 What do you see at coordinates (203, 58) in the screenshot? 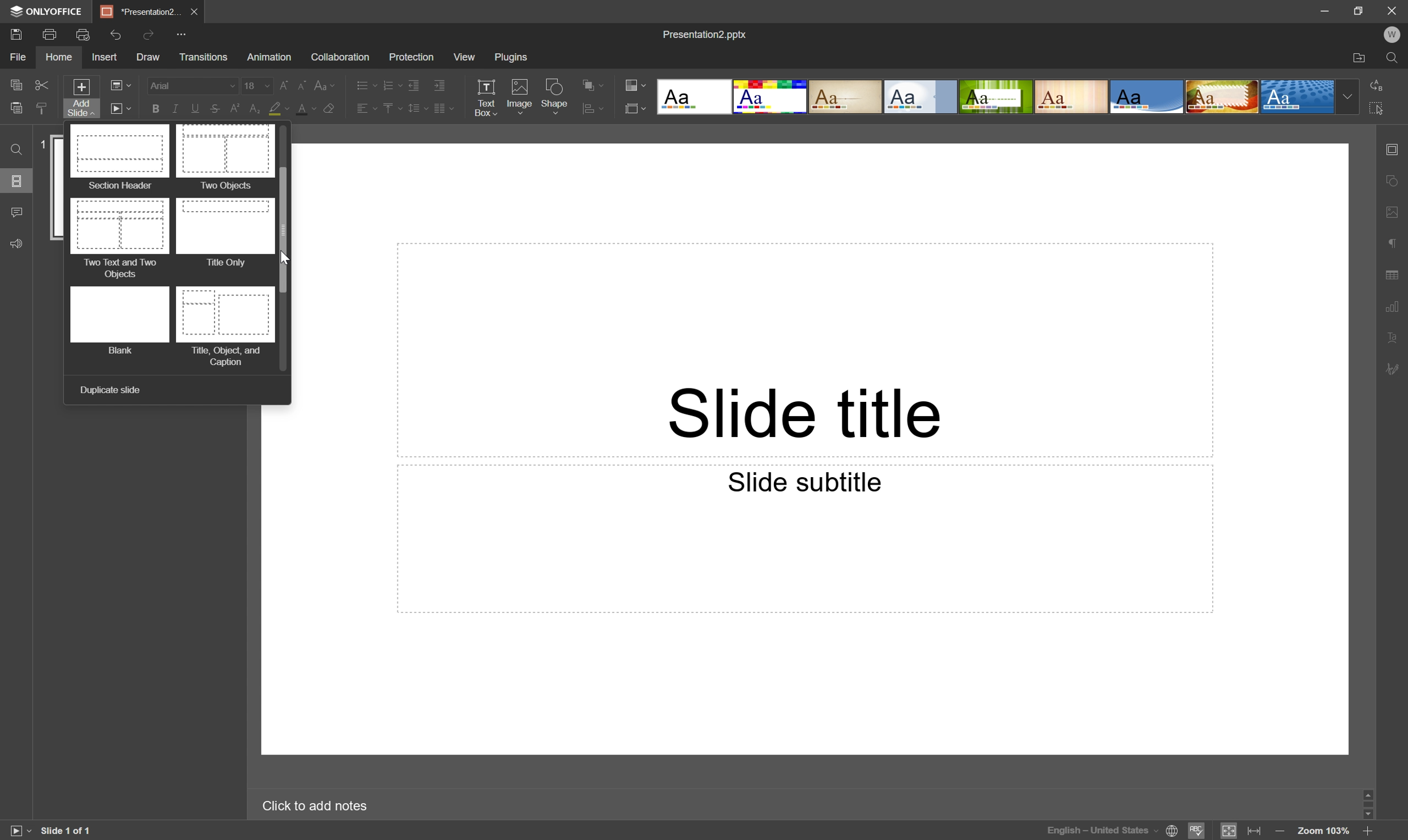
I see `Transitions` at bounding box center [203, 58].